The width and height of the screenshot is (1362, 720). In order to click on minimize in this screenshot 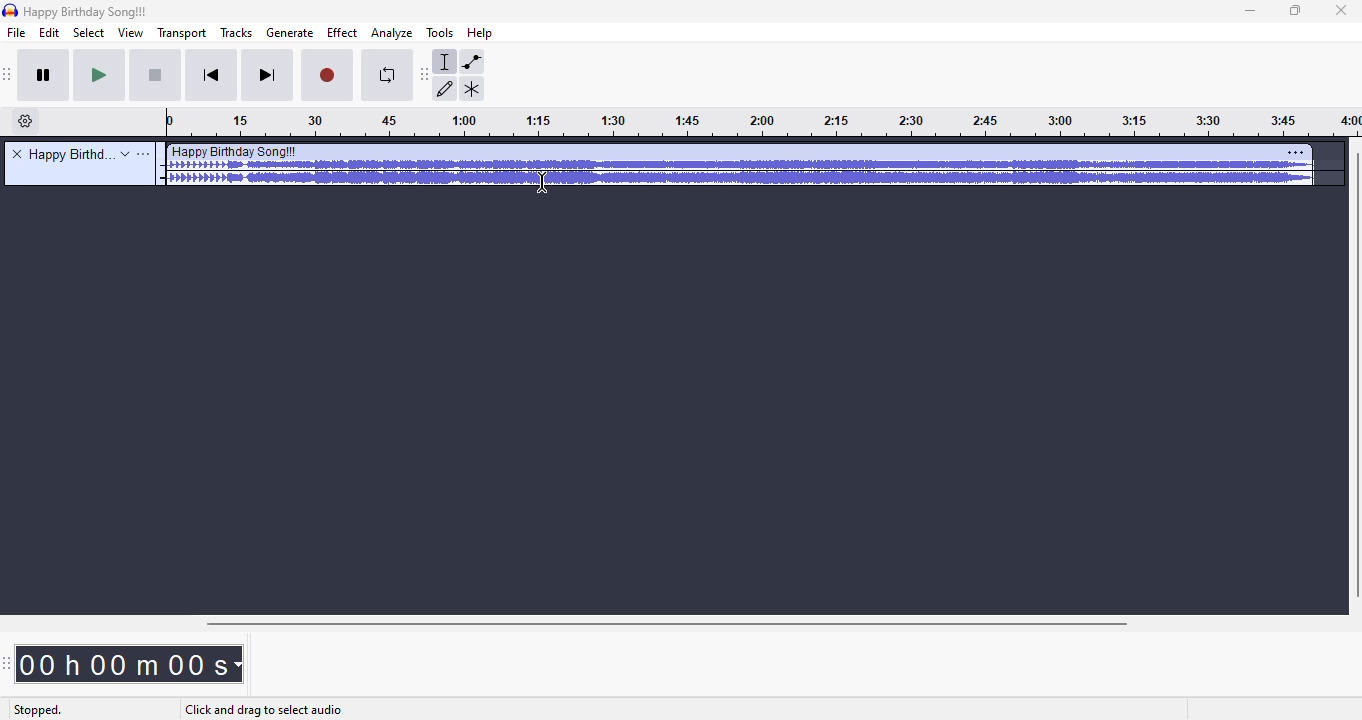, I will do `click(1251, 12)`.